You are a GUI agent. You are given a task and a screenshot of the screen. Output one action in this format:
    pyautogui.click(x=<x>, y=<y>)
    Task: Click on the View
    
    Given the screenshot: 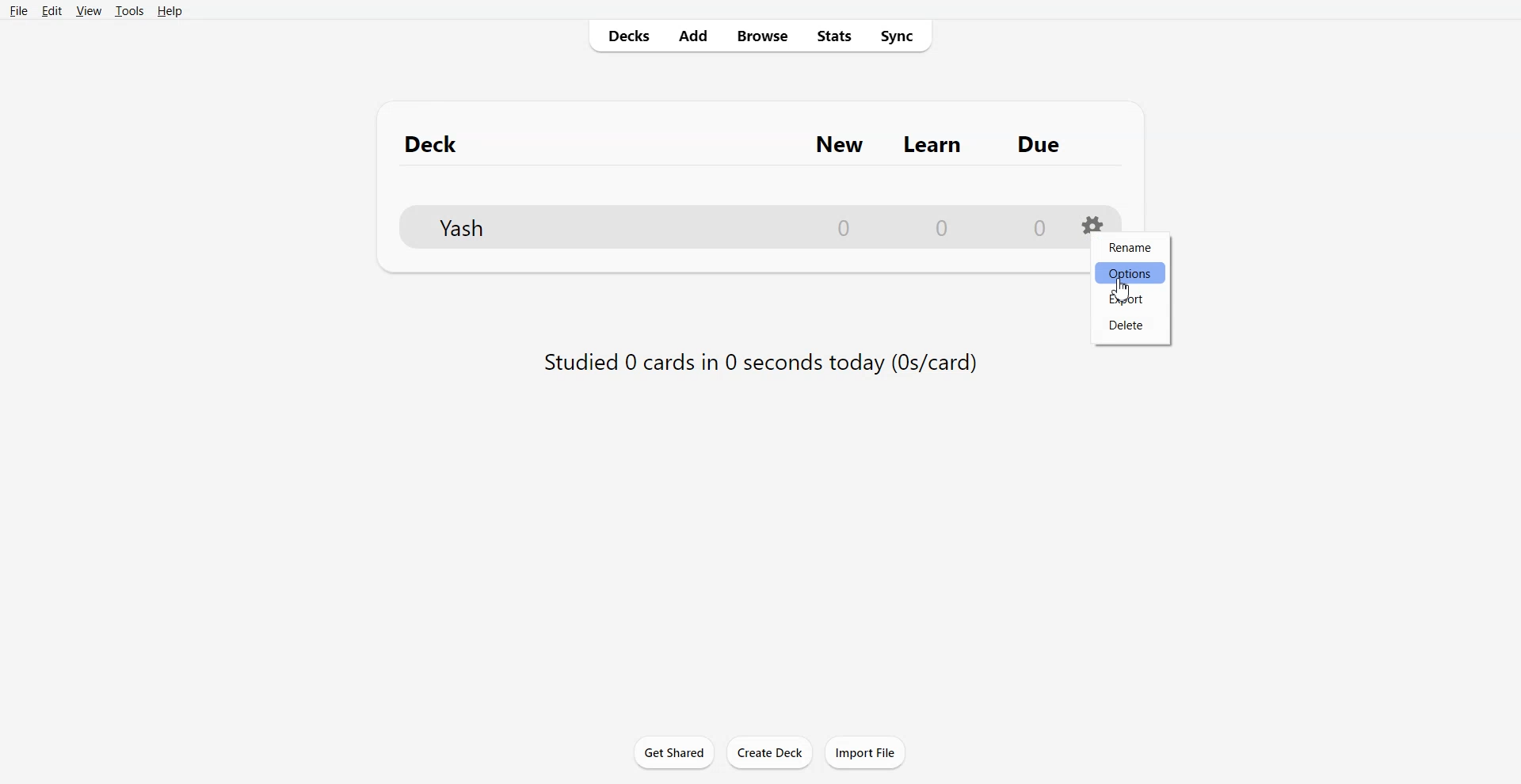 What is the action you would take?
    pyautogui.click(x=88, y=11)
    